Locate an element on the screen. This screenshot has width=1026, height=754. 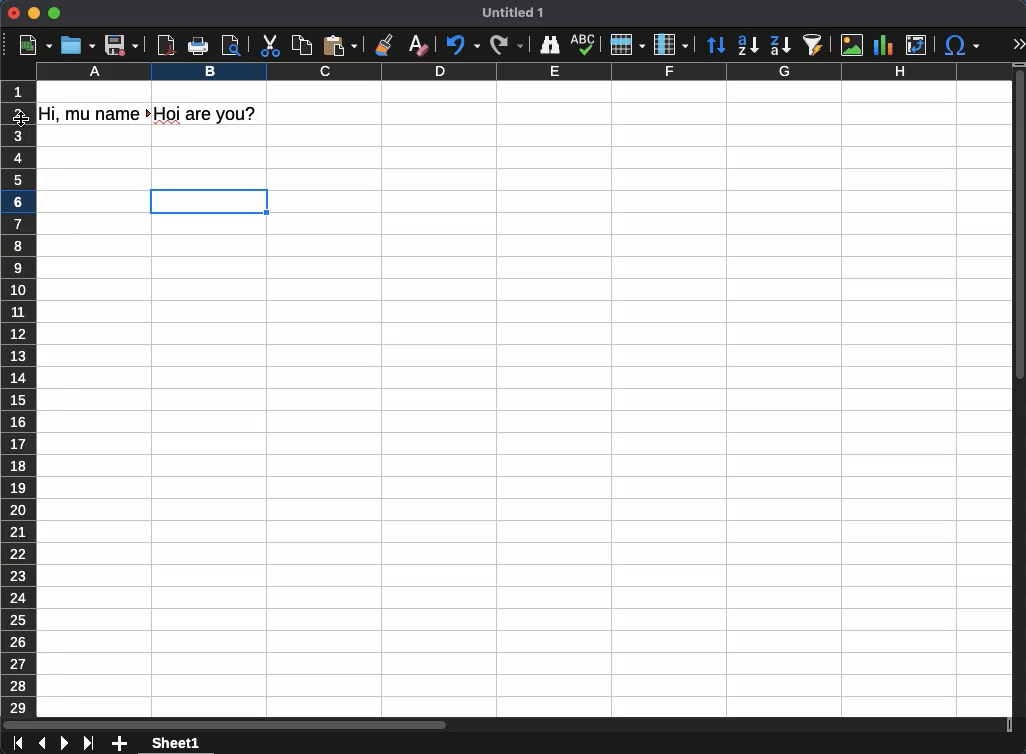
sheet 1 is located at coordinates (177, 744).